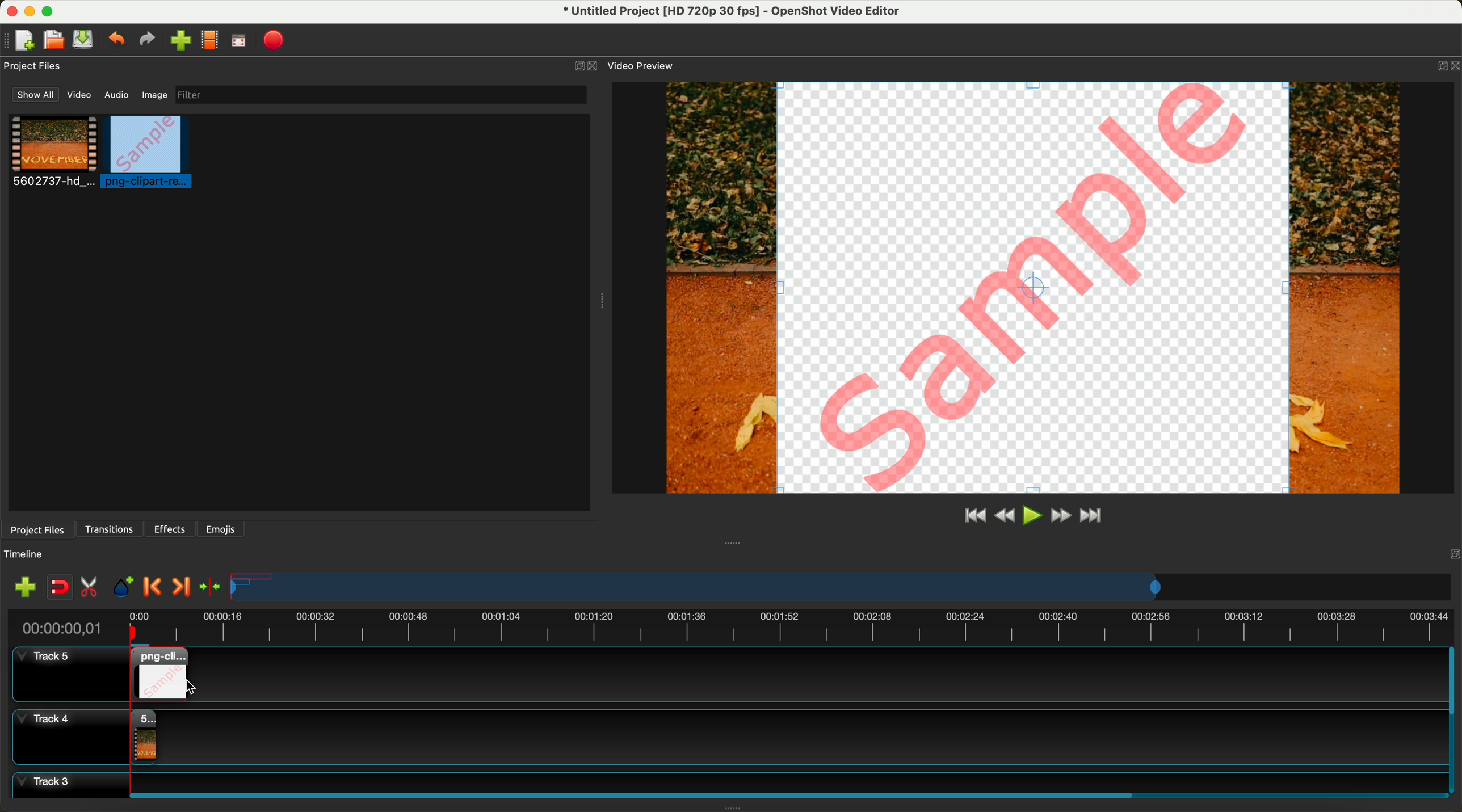 This screenshot has width=1462, height=812. Describe the element at coordinates (30, 554) in the screenshot. I see `timeline` at that location.